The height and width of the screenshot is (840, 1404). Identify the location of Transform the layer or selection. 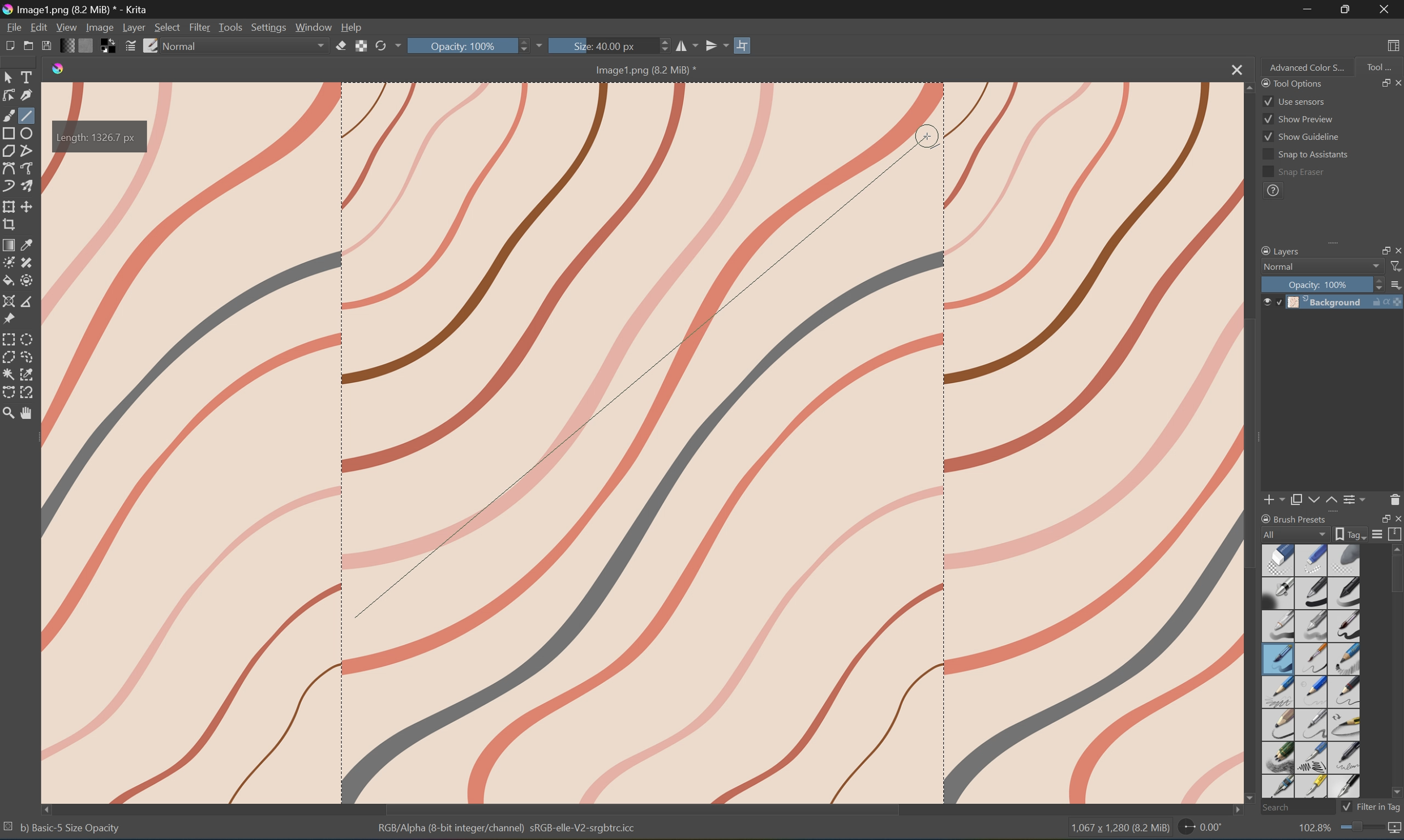
(9, 206).